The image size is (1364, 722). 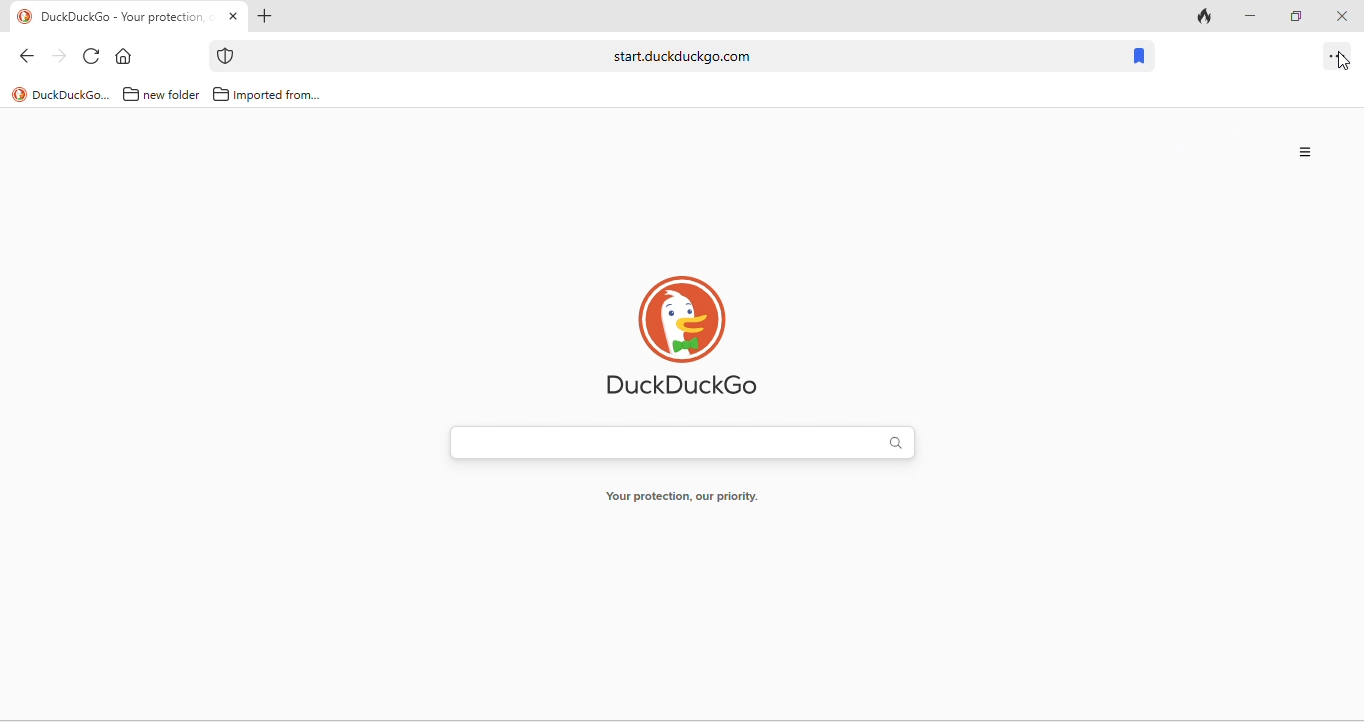 What do you see at coordinates (26, 57) in the screenshot?
I see `back` at bounding box center [26, 57].